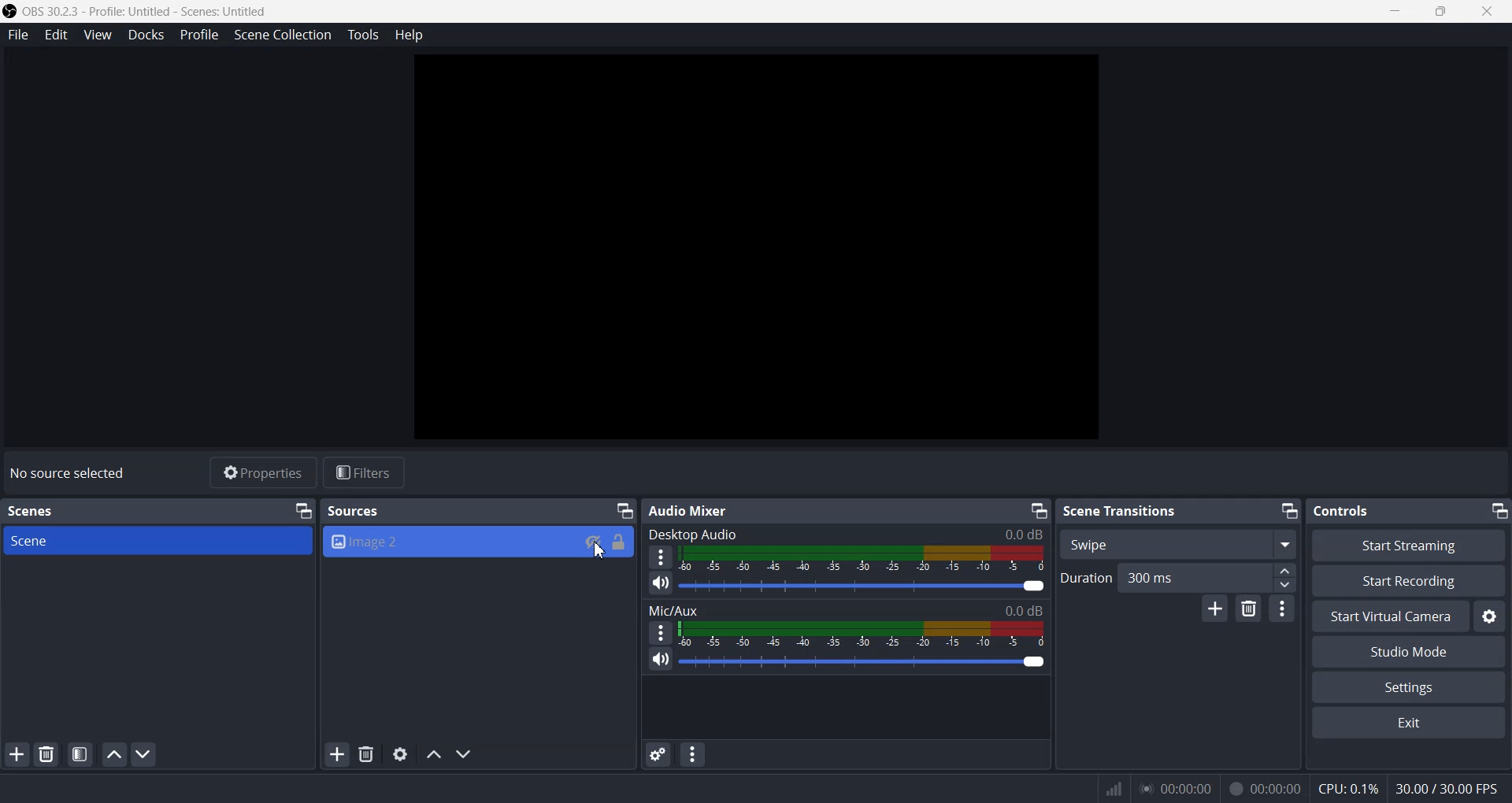  What do you see at coordinates (366, 755) in the screenshot?
I see `Remove selected sources` at bounding box center [366, 755].